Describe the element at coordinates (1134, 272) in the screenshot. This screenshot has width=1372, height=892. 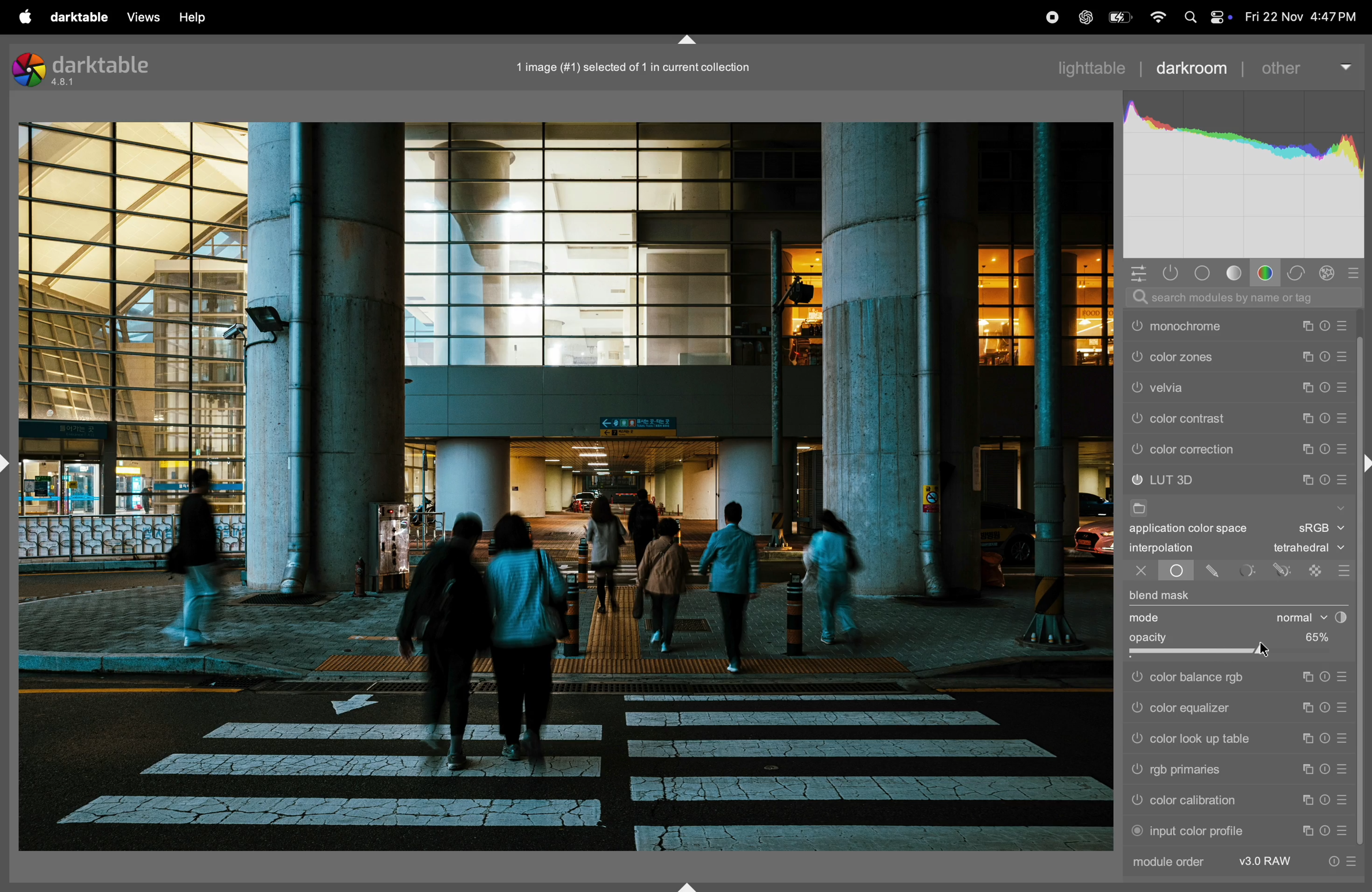
I see `quick access panel` at that location.